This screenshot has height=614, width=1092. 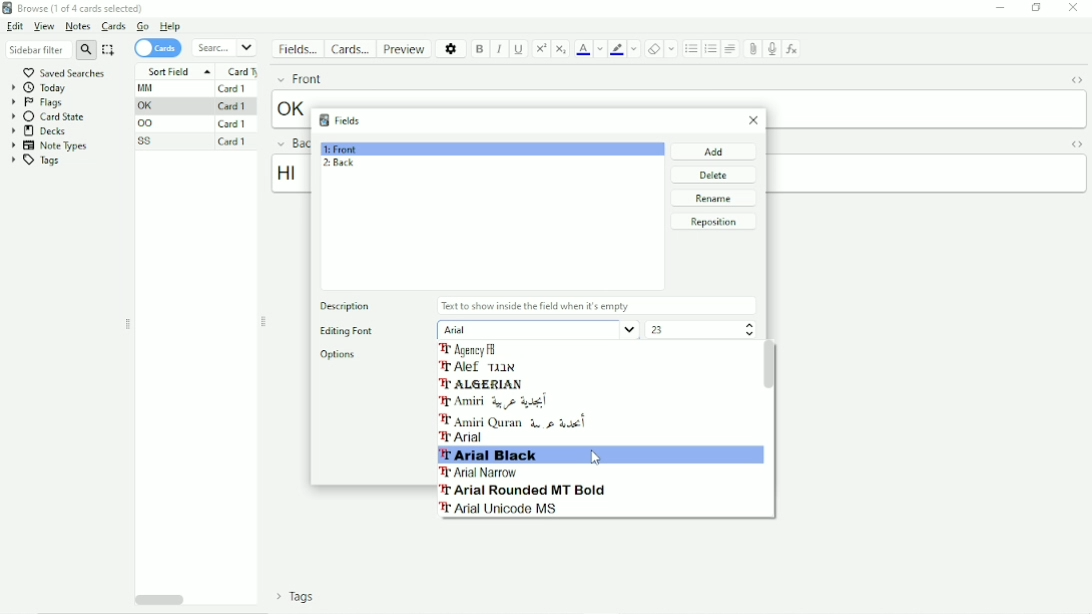 What do you see at coordinates (48, 146) in the screenshot?
I see `Note Types` at bounding box center [48, 146].